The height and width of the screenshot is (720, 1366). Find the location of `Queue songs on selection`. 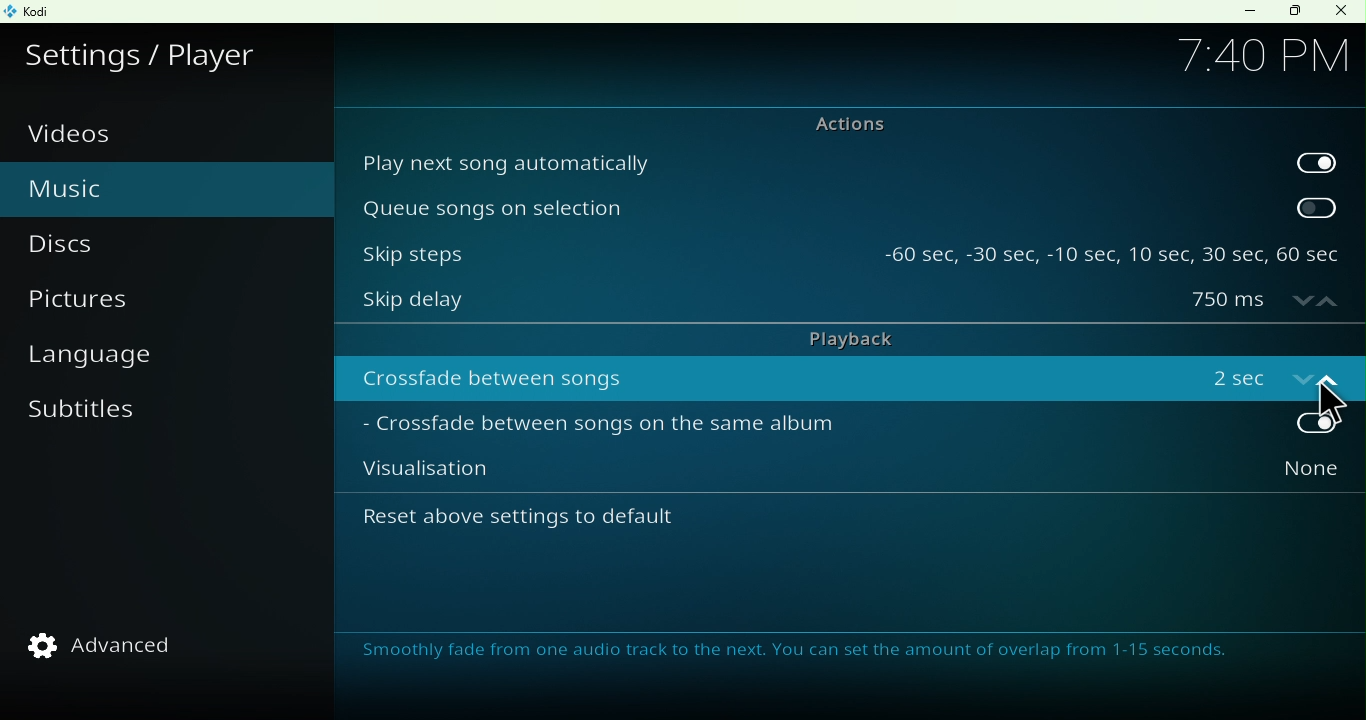

Queue songs on selection is located at coordinates (810, 207).